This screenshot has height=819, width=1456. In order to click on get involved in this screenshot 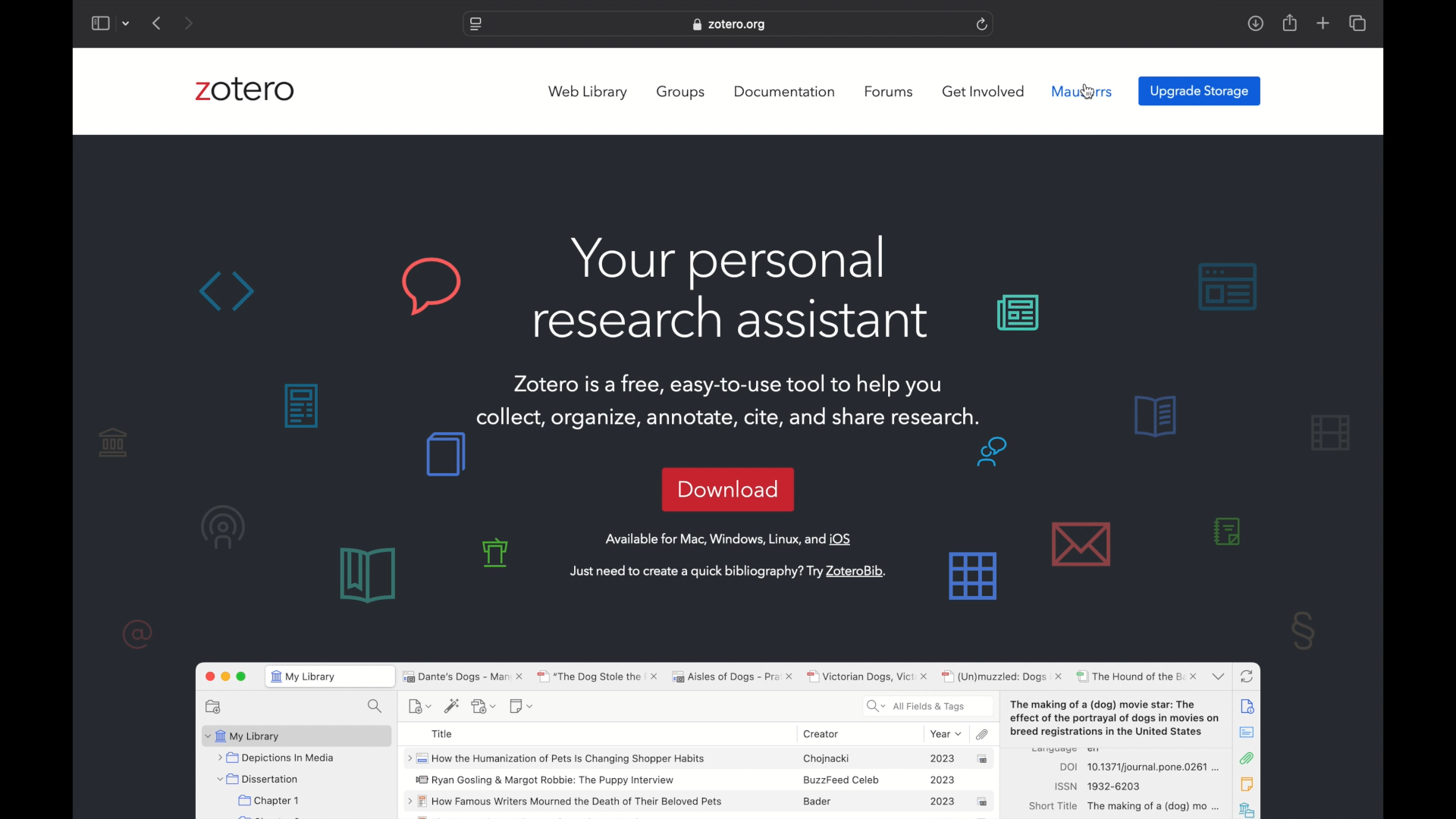, I will do `click(984, 90)`.